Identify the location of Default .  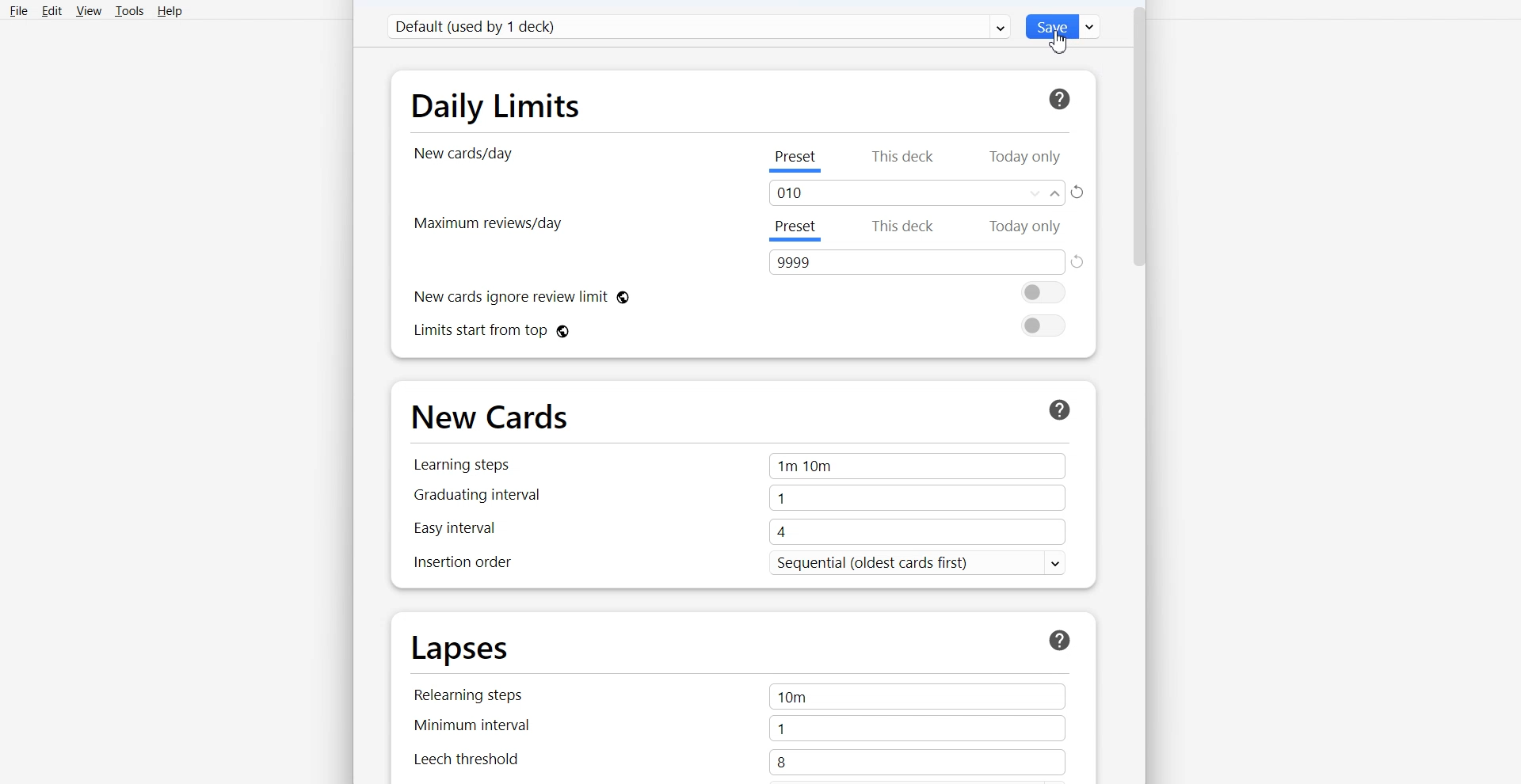
(698, 26).